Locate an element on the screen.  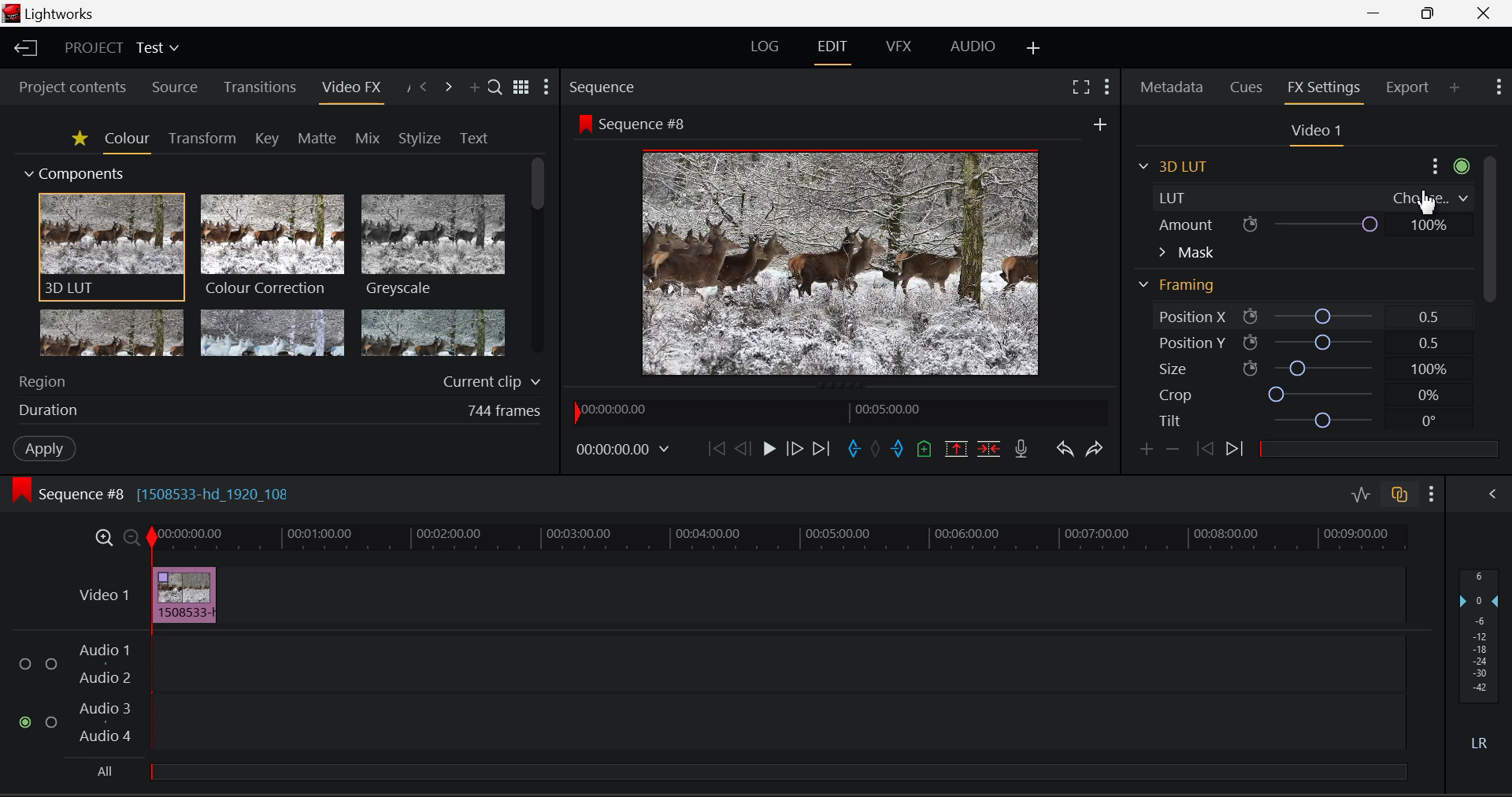
Go Back is located at coordinates (743, 451).